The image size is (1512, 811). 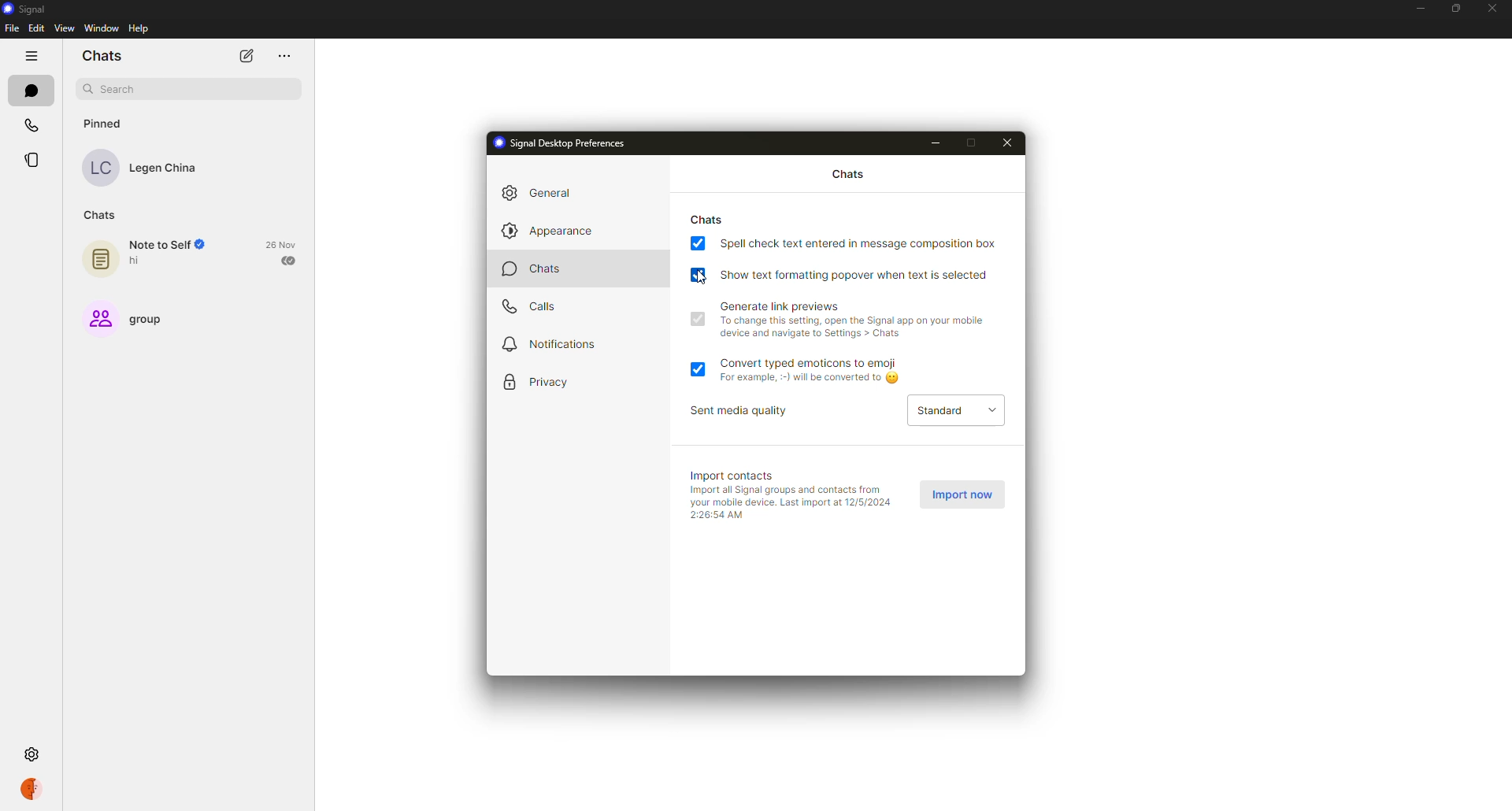 What do you see at coordinates (154, 256) in the screenshot?
I see `note to self` at bounding box center [154, 256].